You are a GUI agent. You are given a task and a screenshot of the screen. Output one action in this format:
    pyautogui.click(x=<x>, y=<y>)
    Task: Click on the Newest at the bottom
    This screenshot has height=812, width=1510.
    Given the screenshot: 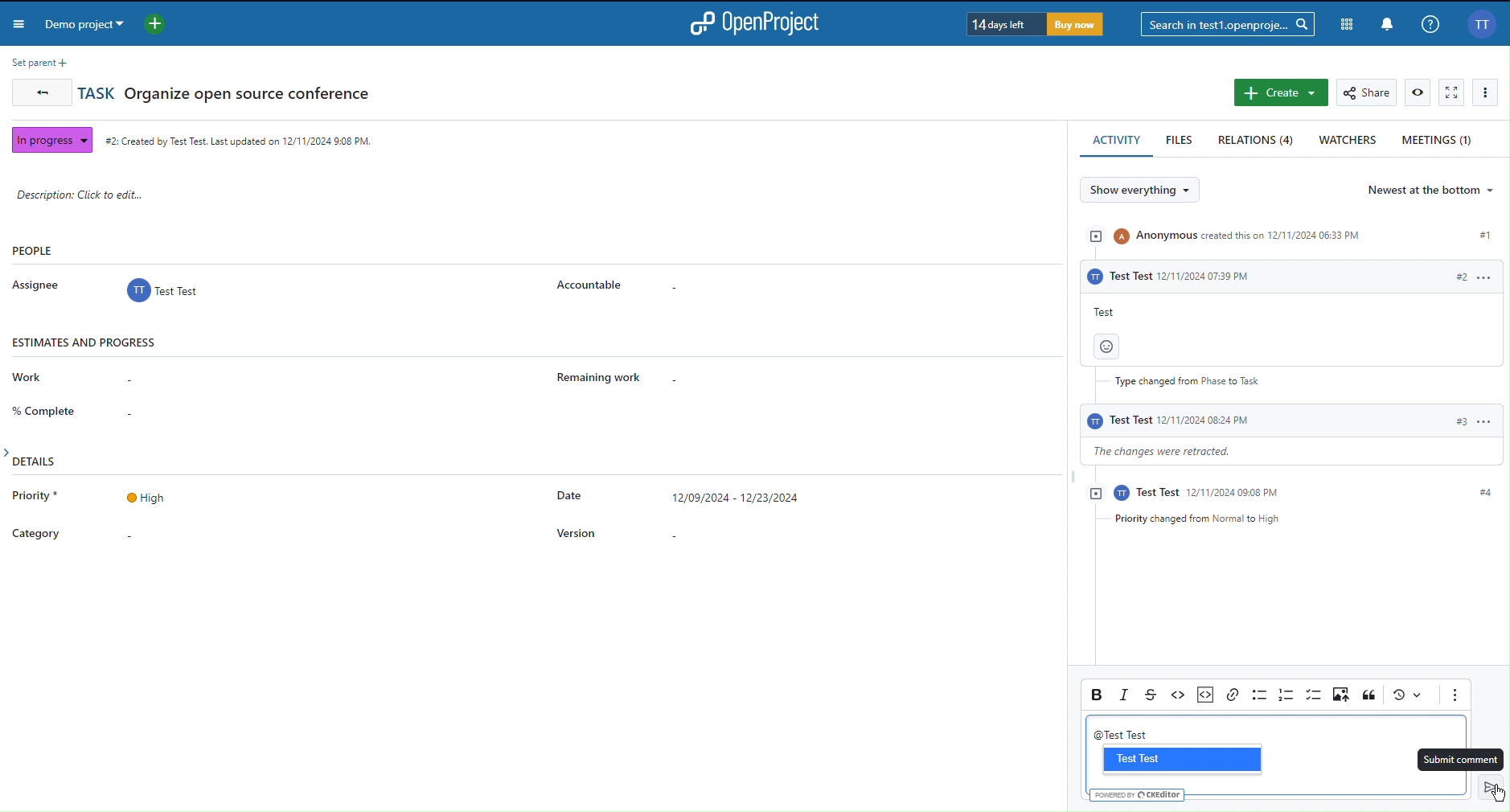 What is the action you would take?
    pyautogui.click(x=1433, y=190)
    